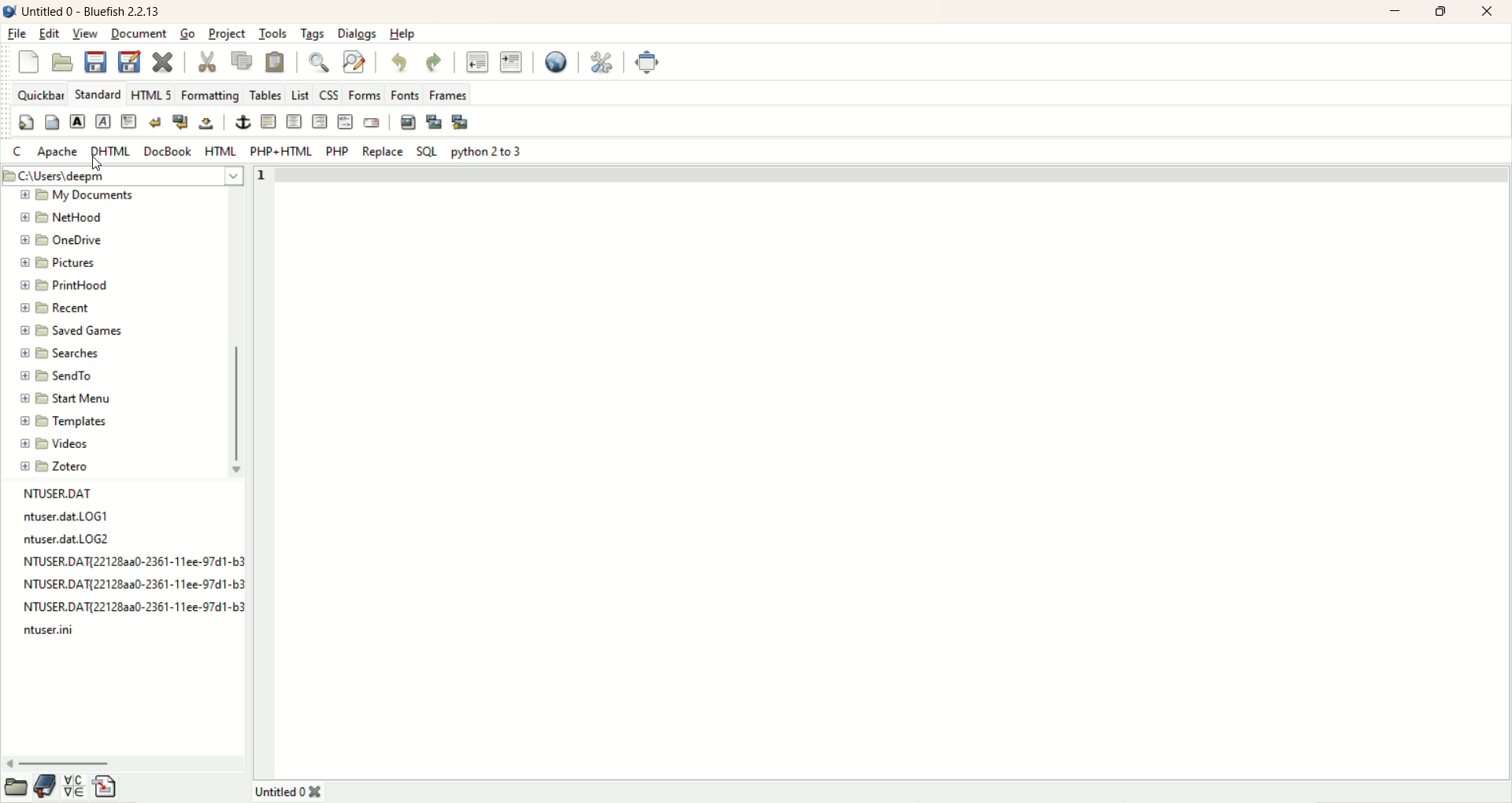 The width and height of the screenshot is (1512, 803). Describe the element at coordinates (365, 94) in the screenshot. I see `forms` at that location.